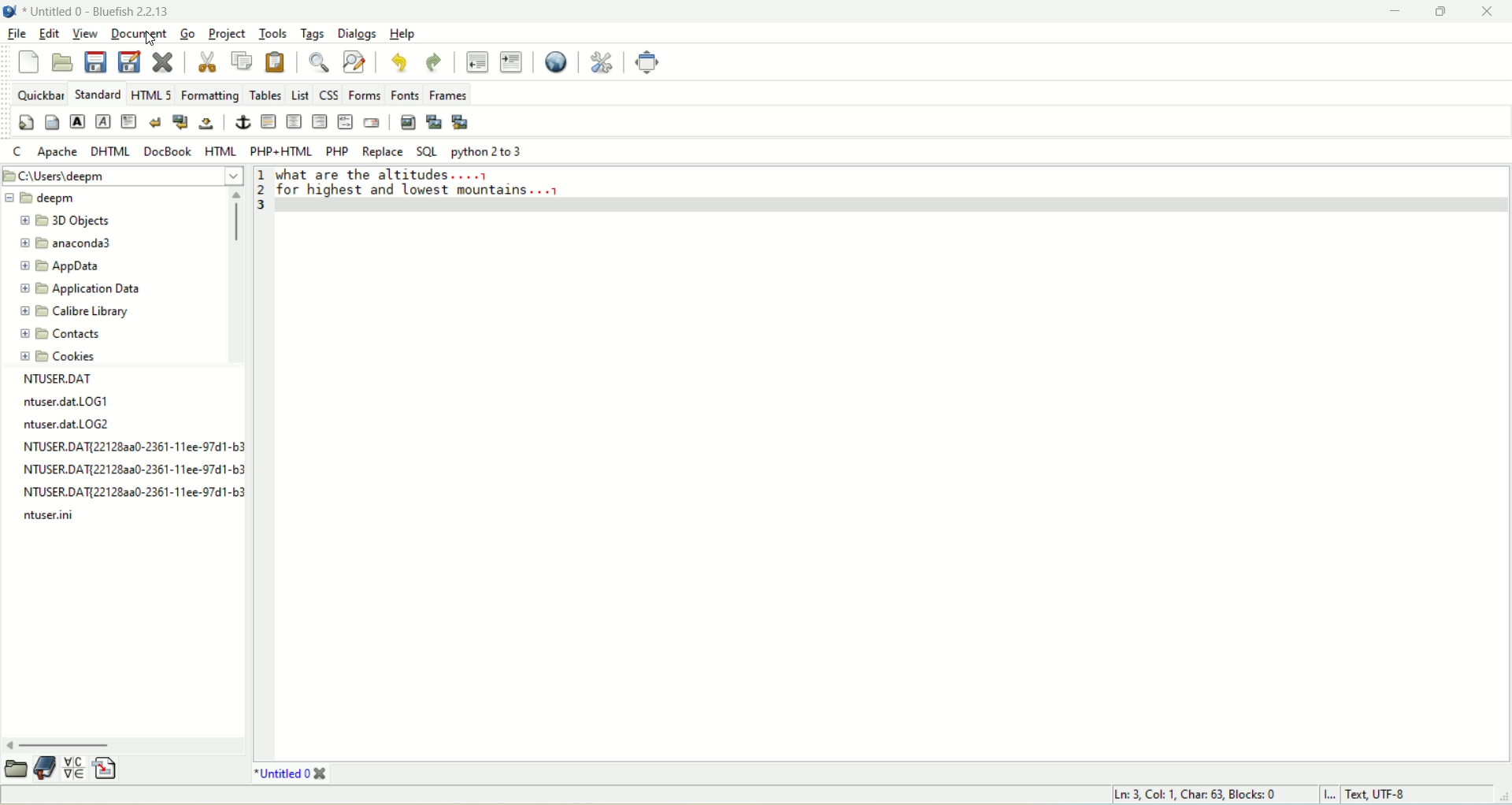 The image size is (1512, 805). What do you see at coordinates (1436, 13) in the screenshot?
I see `maximize` at bounding box center [1436, 13].